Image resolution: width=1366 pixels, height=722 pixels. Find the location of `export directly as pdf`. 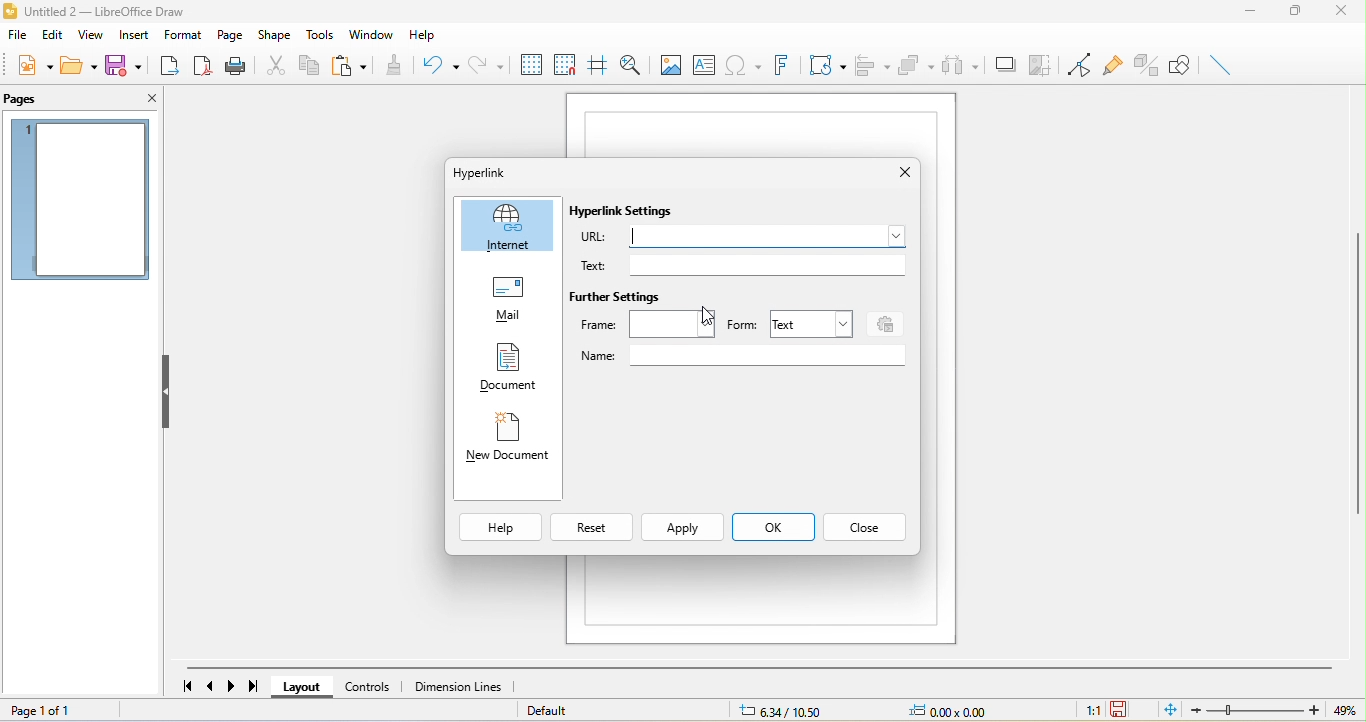

export directly as pdf is located at coordinates (205, 65).